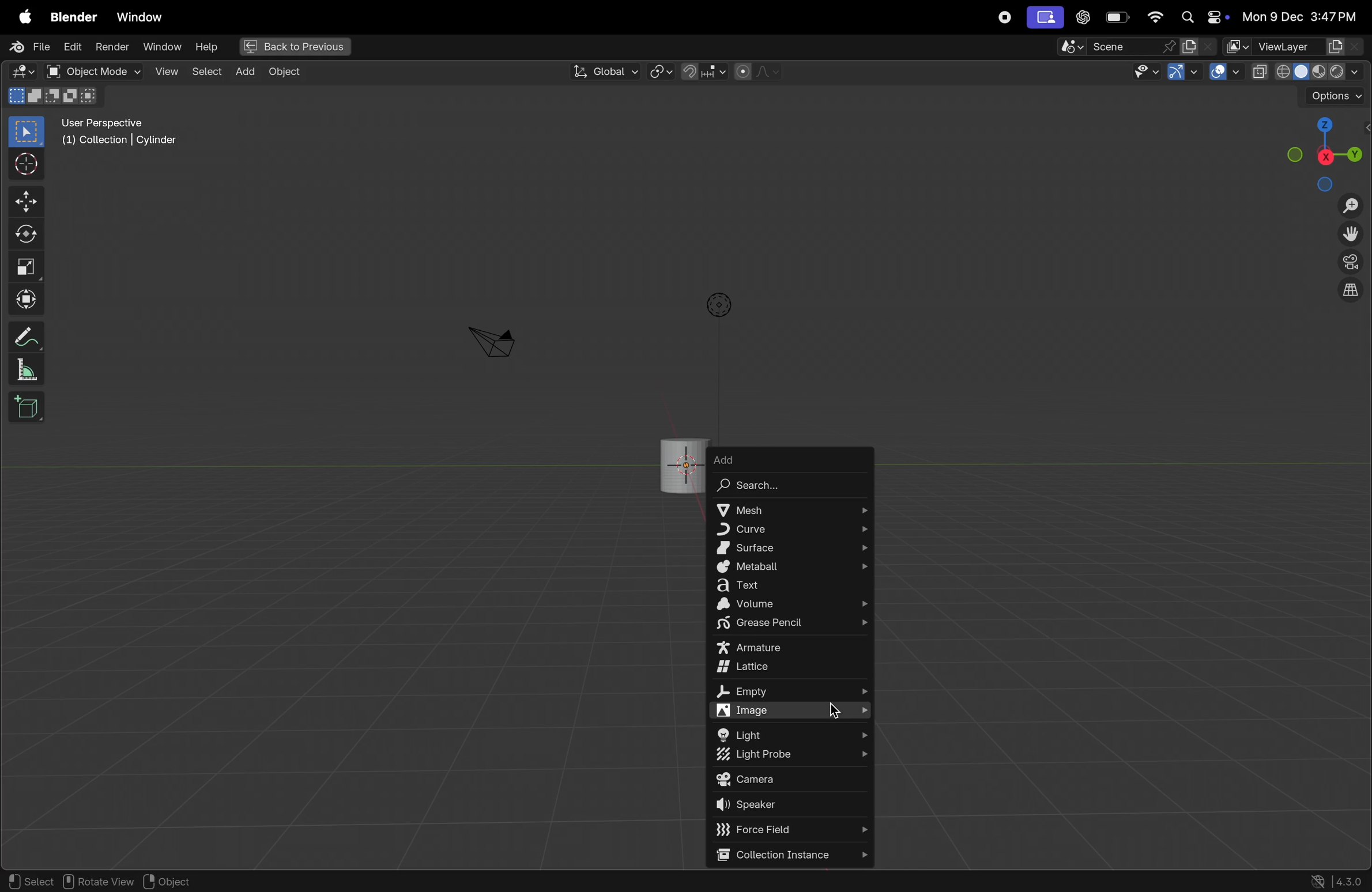 The image size is (1372, 892). What do you see at coordinates (791, 806) in the screenshot?
I see `speaker` at bounding box center [791, 806].